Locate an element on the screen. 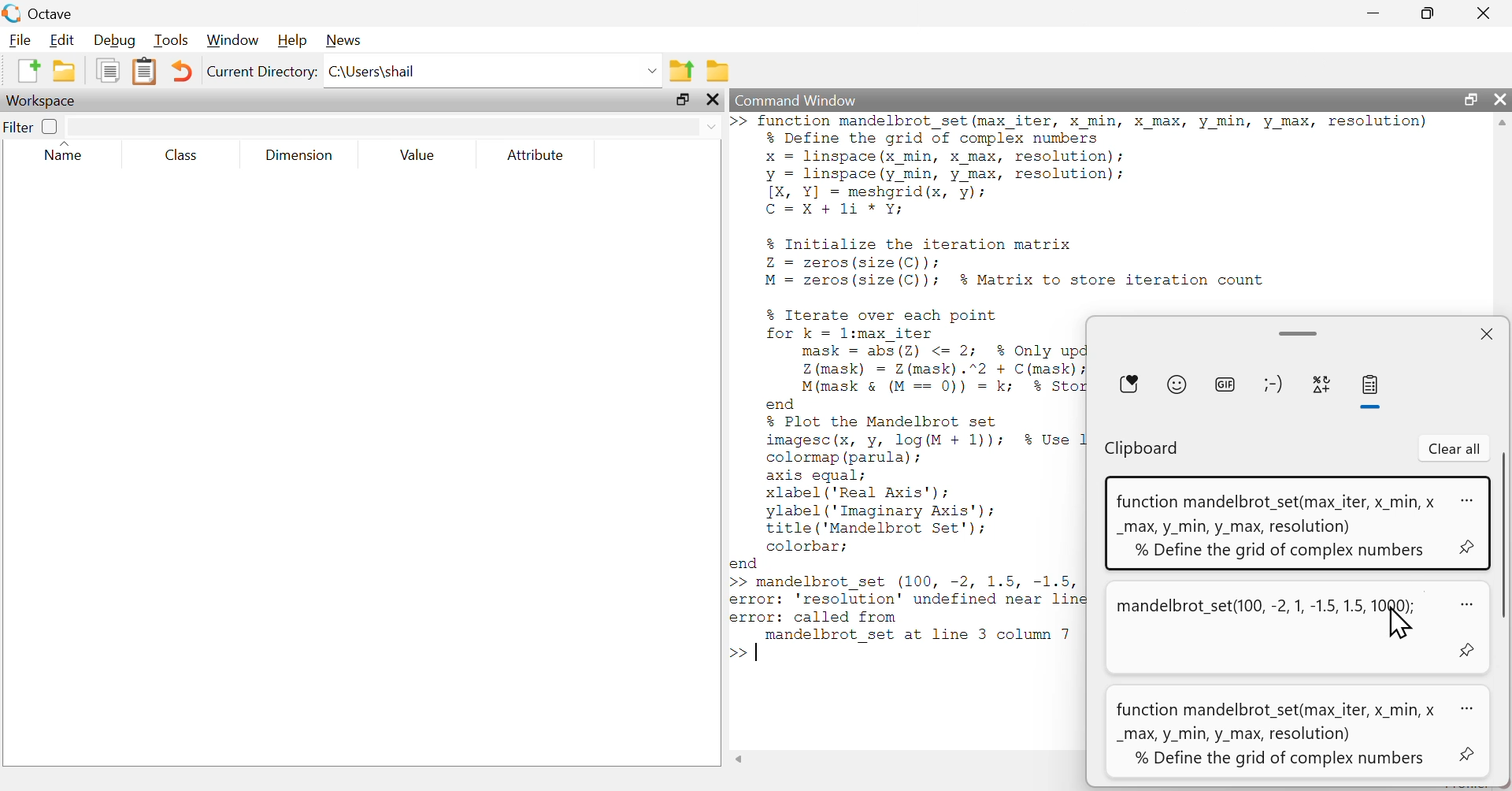  Tools is located at coordinates (169, 41).